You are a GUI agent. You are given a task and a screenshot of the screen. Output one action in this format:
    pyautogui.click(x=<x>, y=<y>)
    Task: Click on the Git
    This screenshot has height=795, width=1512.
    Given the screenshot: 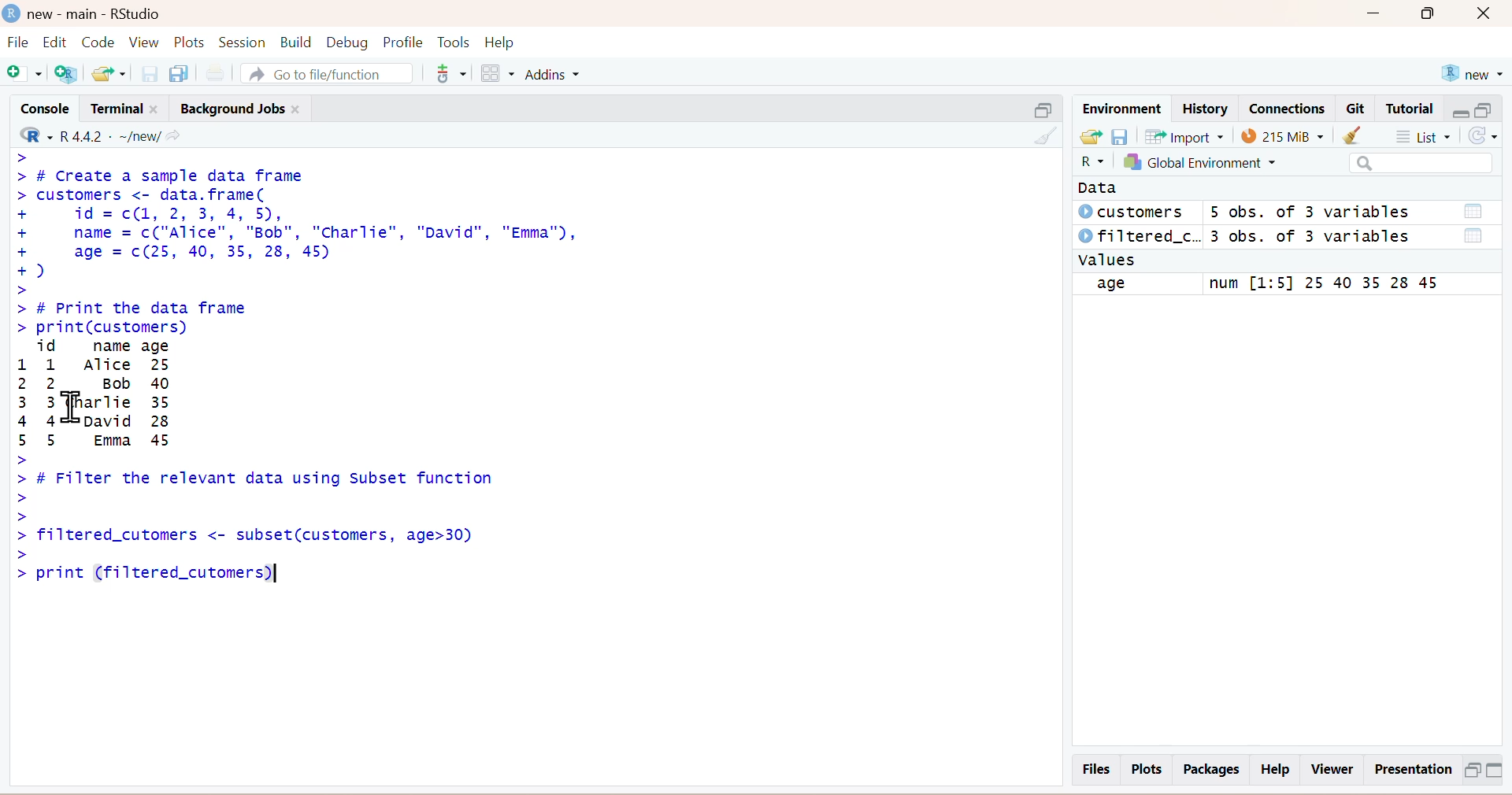 What is the action you would take?
    pyautogui.click(x=1357, y=109)
    